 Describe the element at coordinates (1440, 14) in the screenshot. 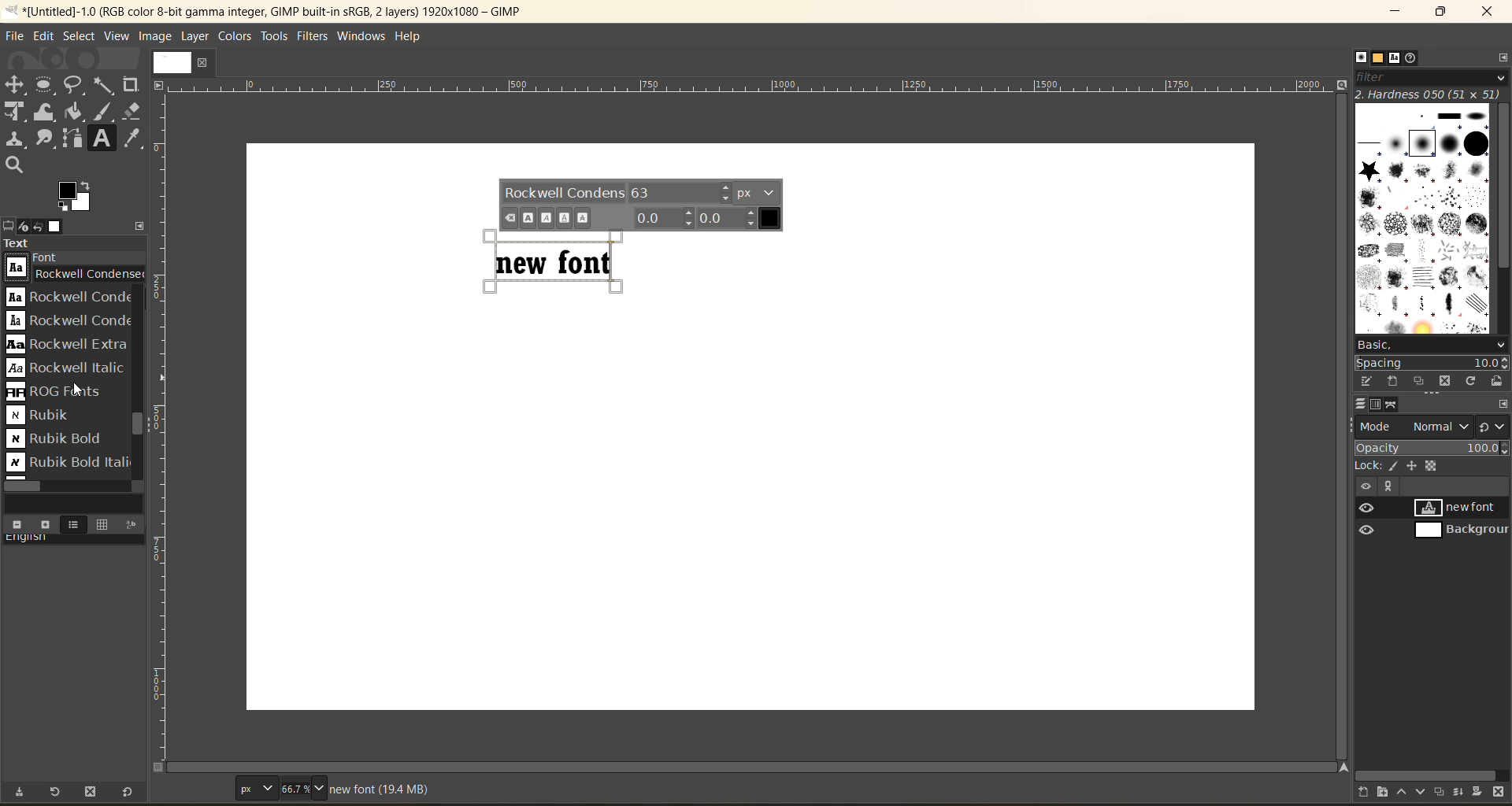

I see `maximize` at that location.